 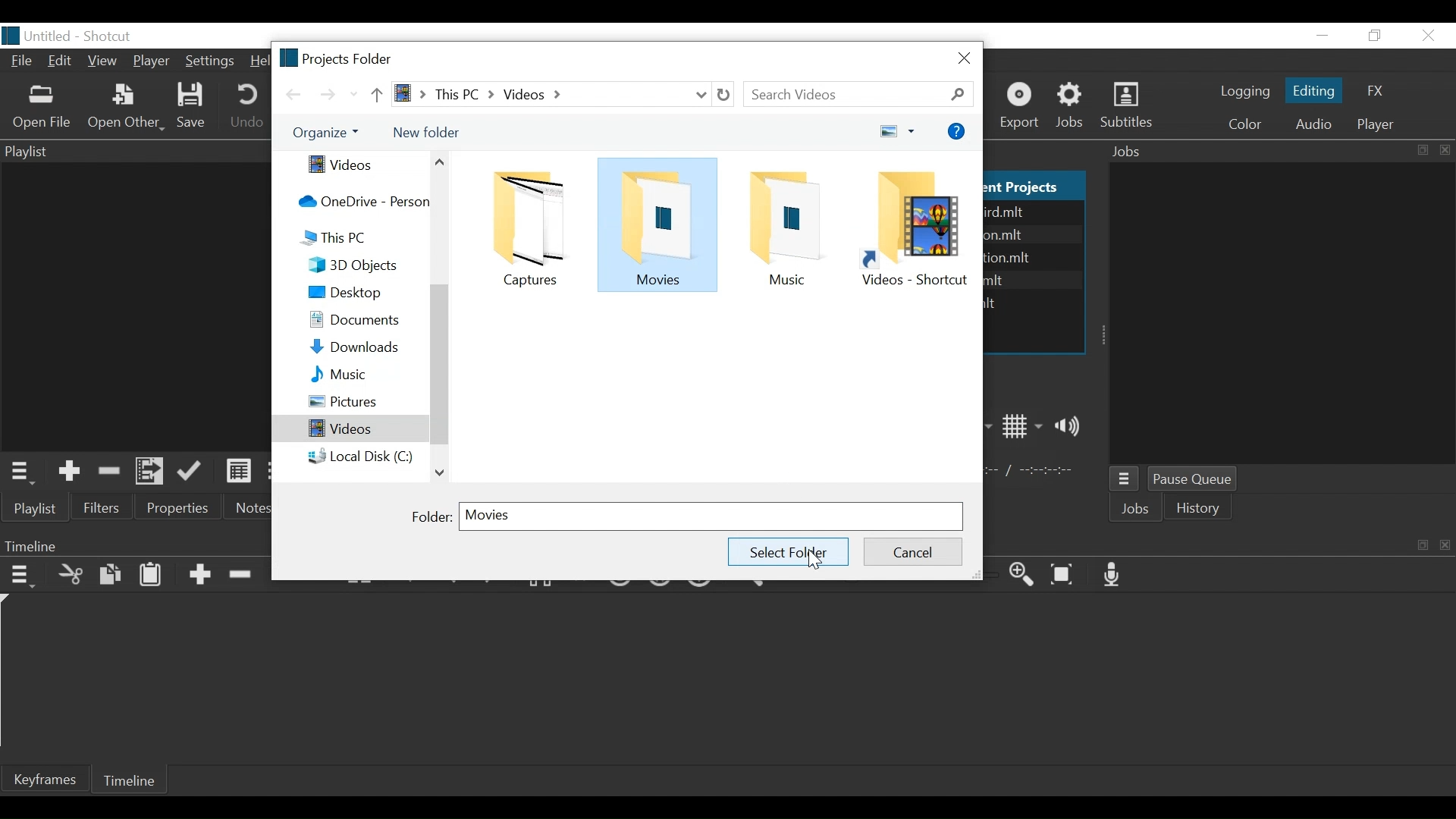 What do you see at coordinates (42, 509) in the screenshot?
I see `Playlist menu` at bounding box center [42, 509].